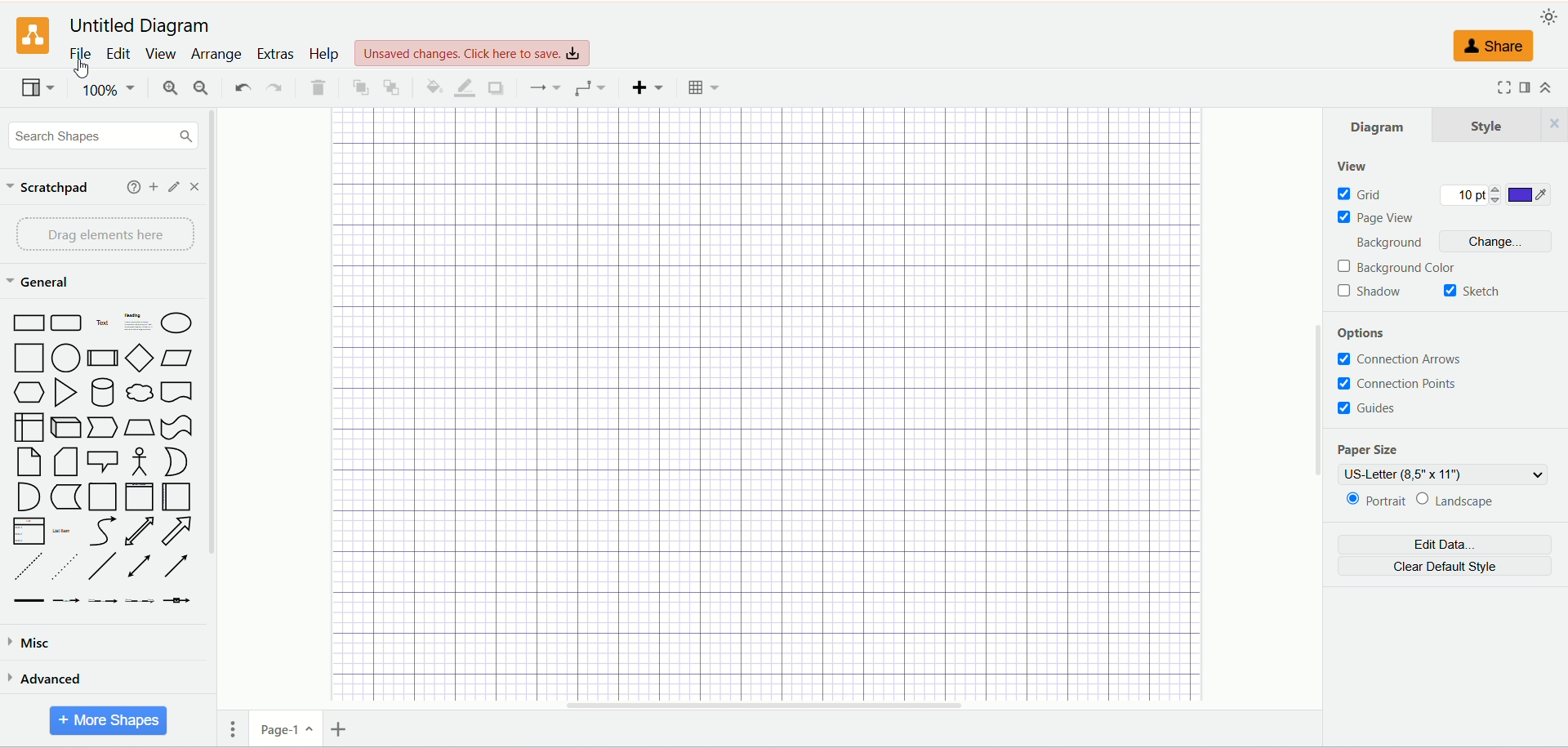  Describe the element at coordinates (176, 394) in the screenshot. I see `Document` at that location.